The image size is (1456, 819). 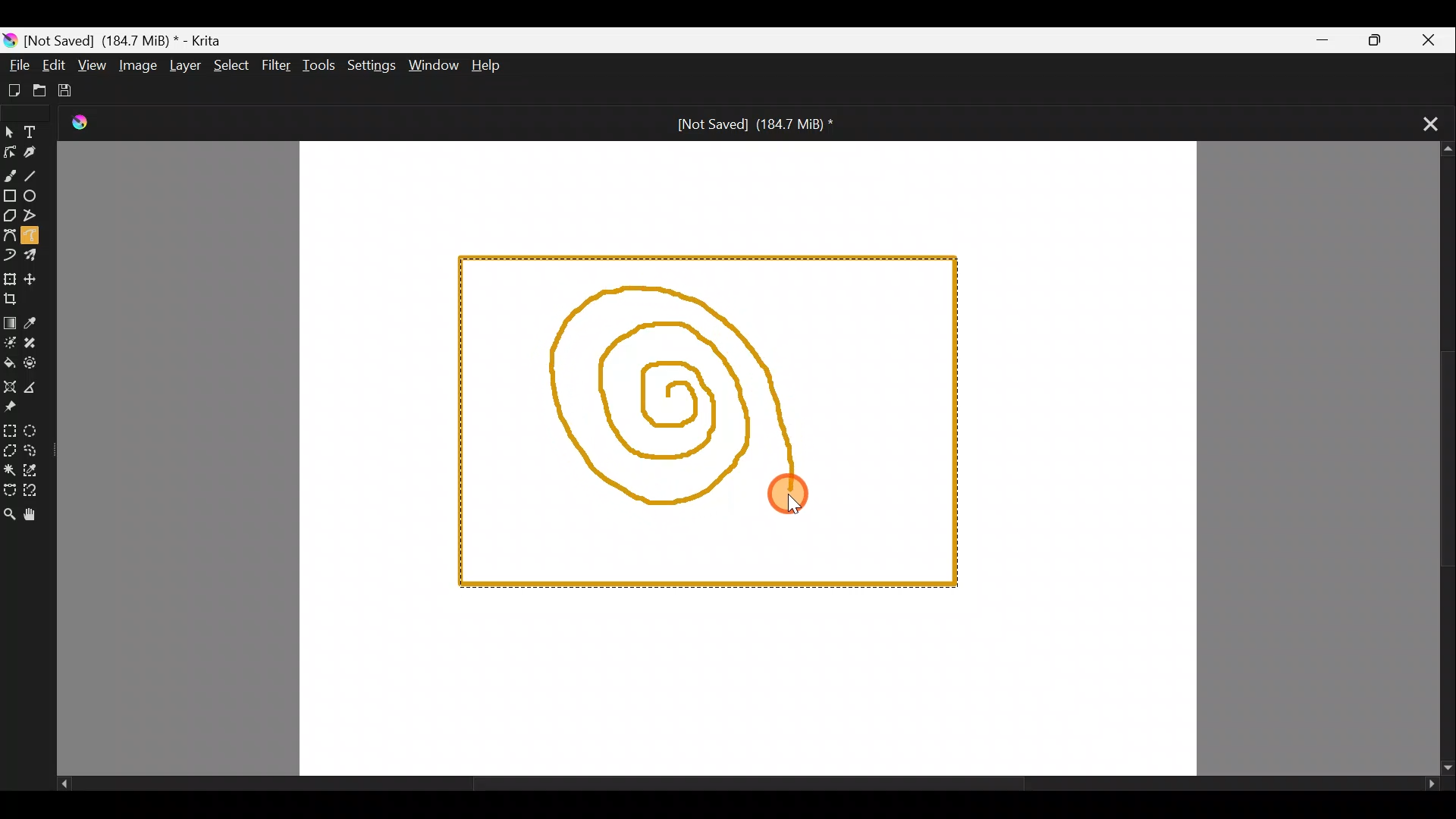 What do you see at coordinates (130, 39) in the screenshot?
I see `) [Not Saved] (184.7 MiB) * - Krita` at bounding box center [130, 39].